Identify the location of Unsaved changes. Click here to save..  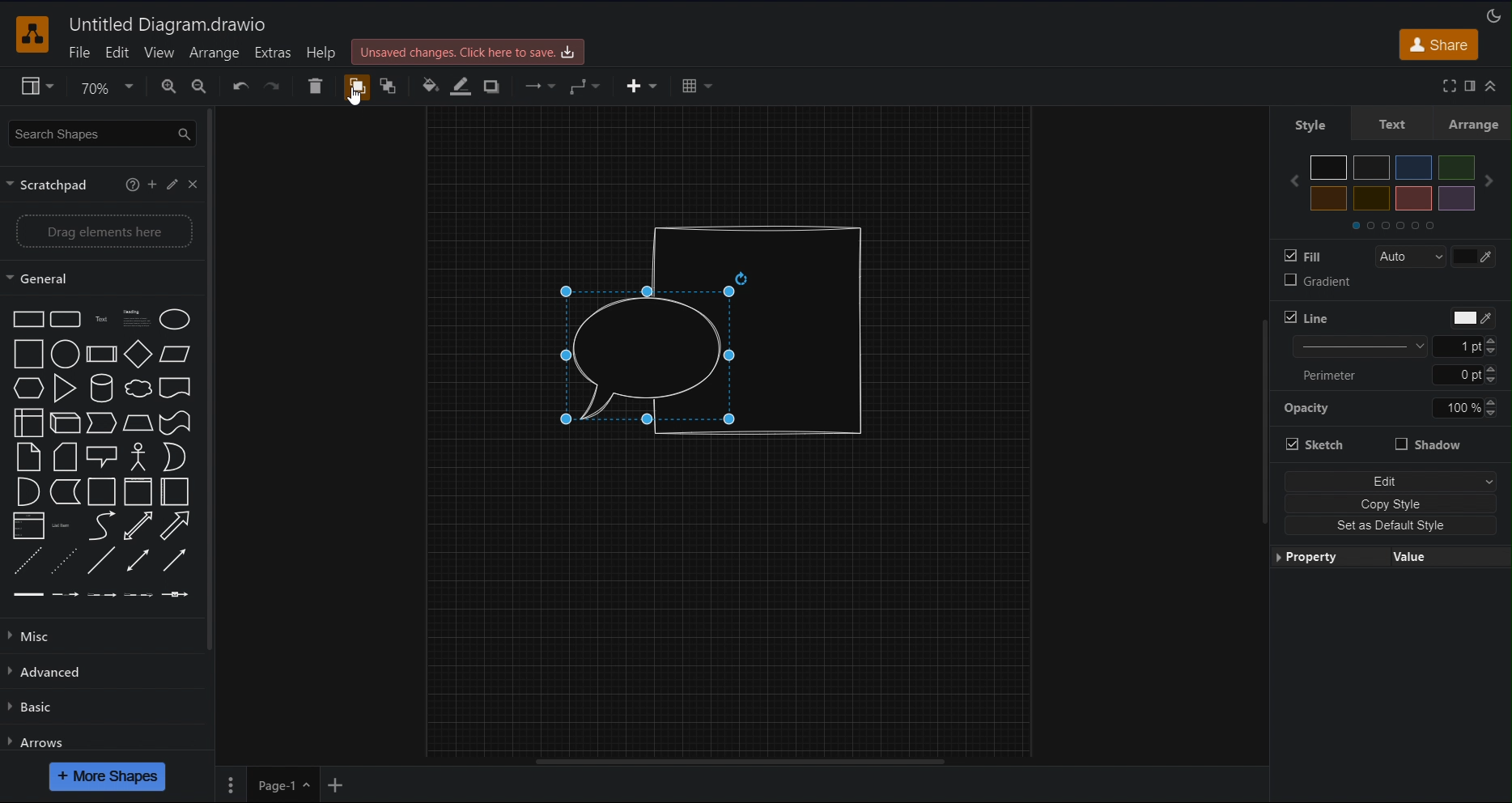
(468, 52).